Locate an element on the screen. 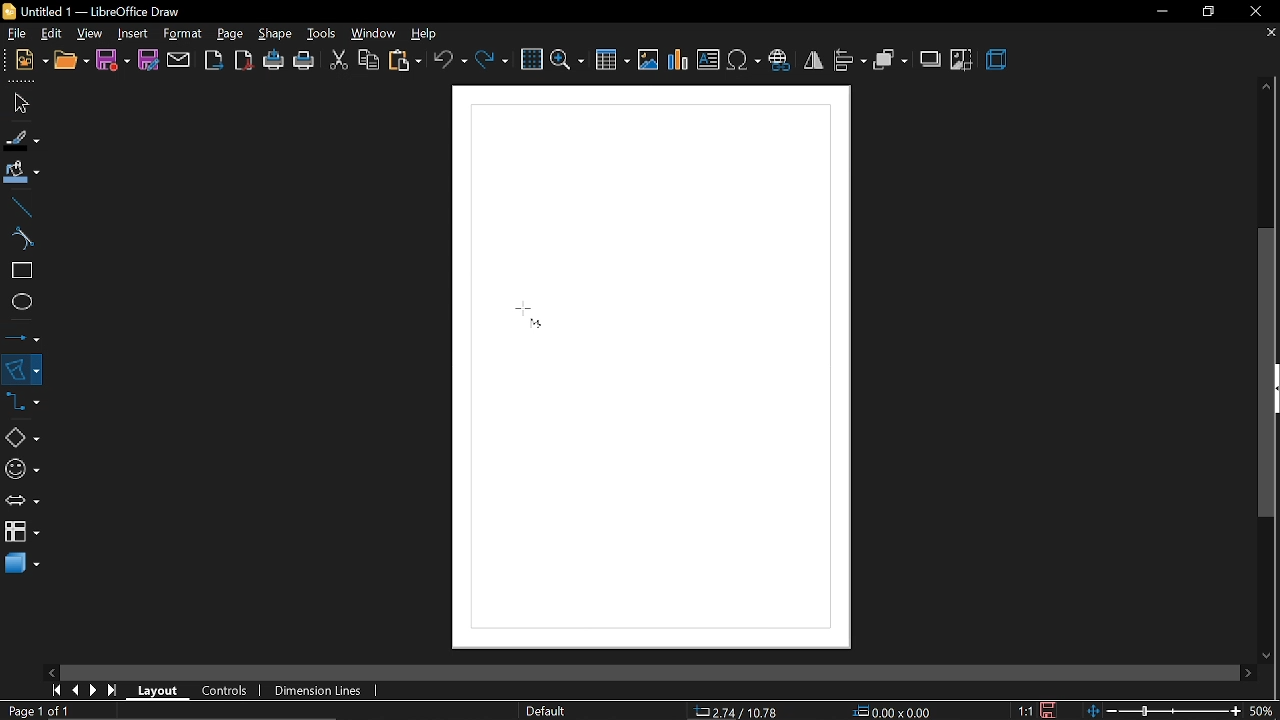  rectangle is located at coordinates (19, 272).